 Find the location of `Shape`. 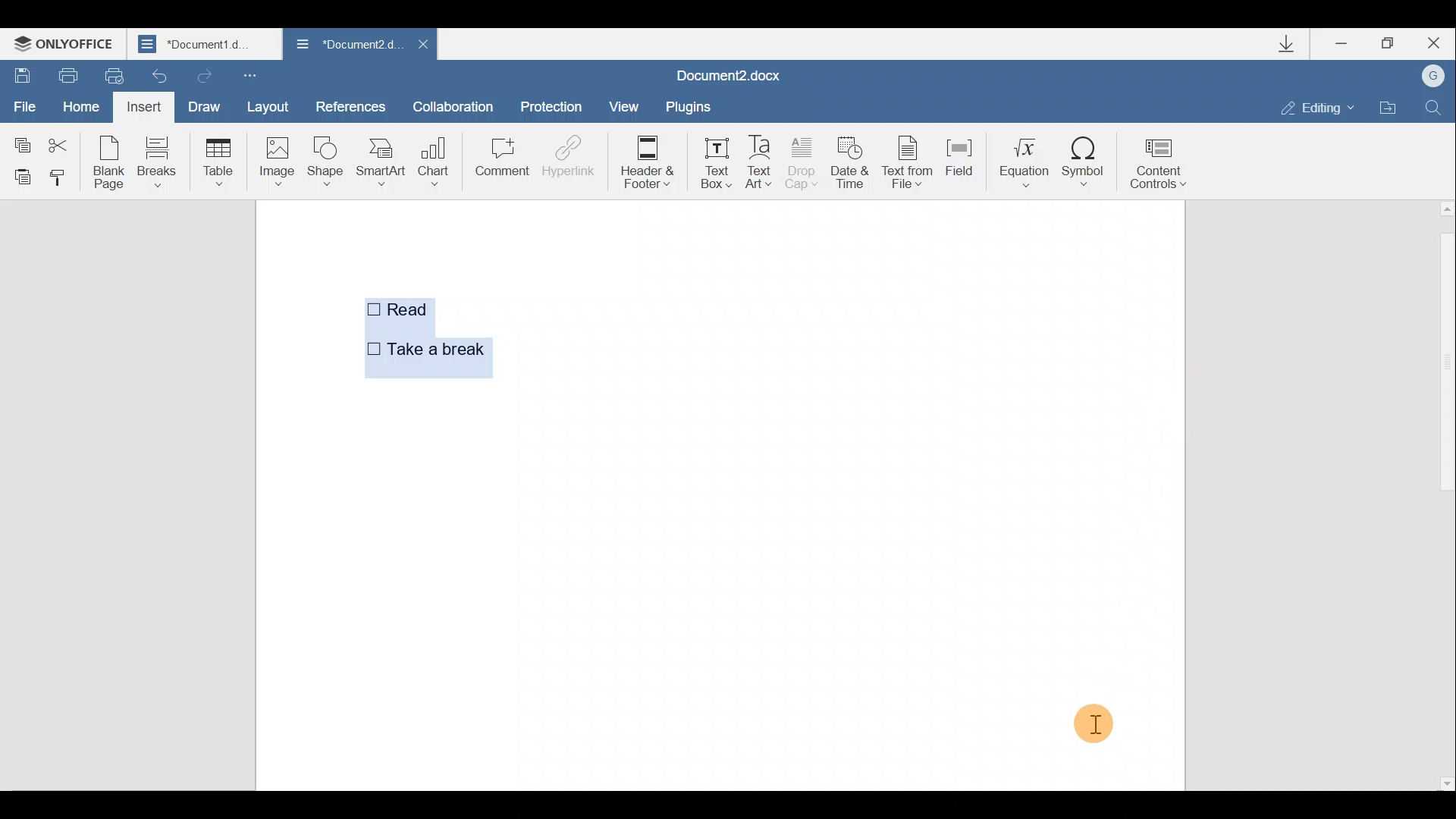

Shape is located at coordinates (323, 162).